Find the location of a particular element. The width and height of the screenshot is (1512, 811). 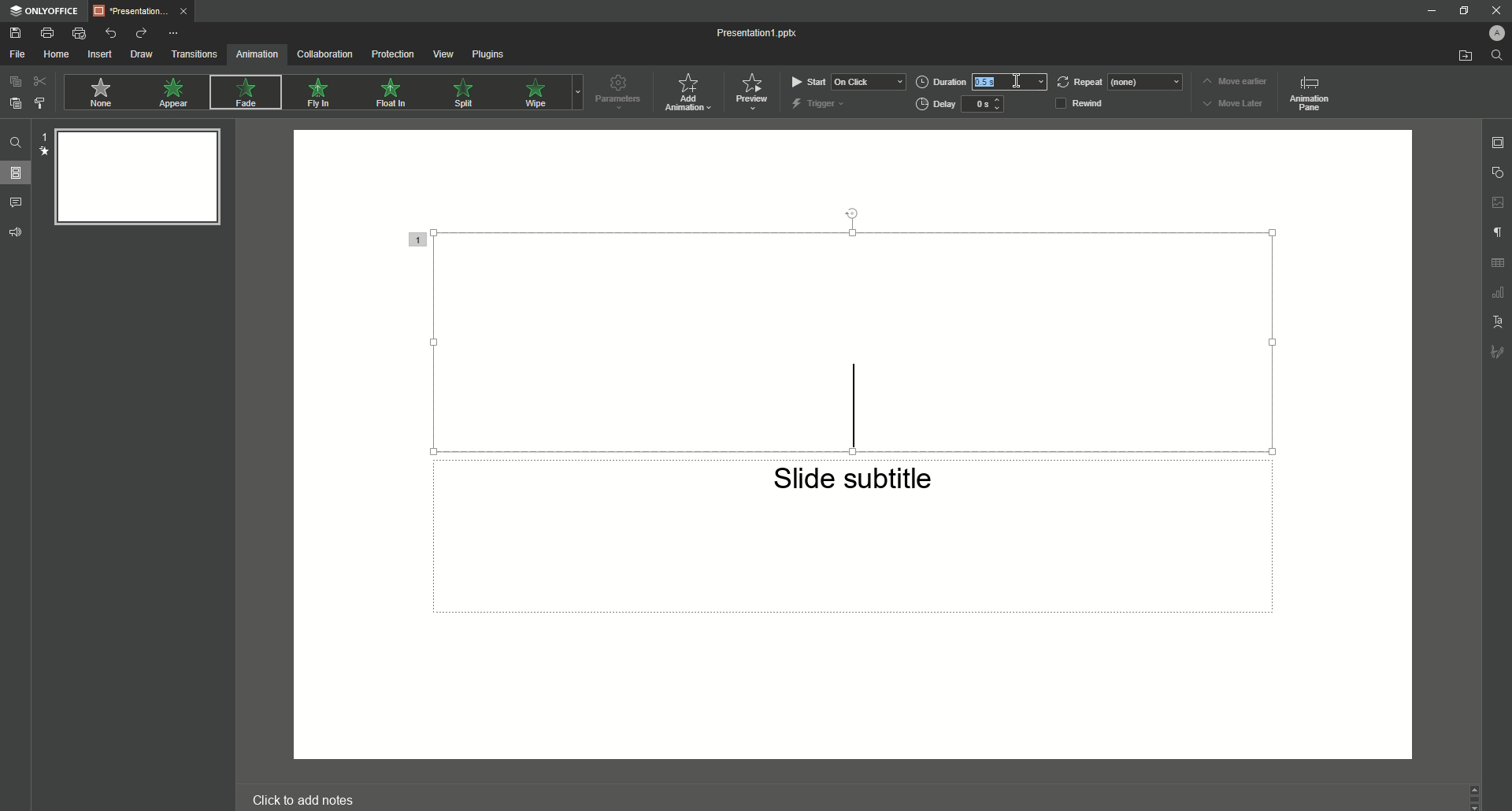

Minimize is located at coordinates (1434, 11).